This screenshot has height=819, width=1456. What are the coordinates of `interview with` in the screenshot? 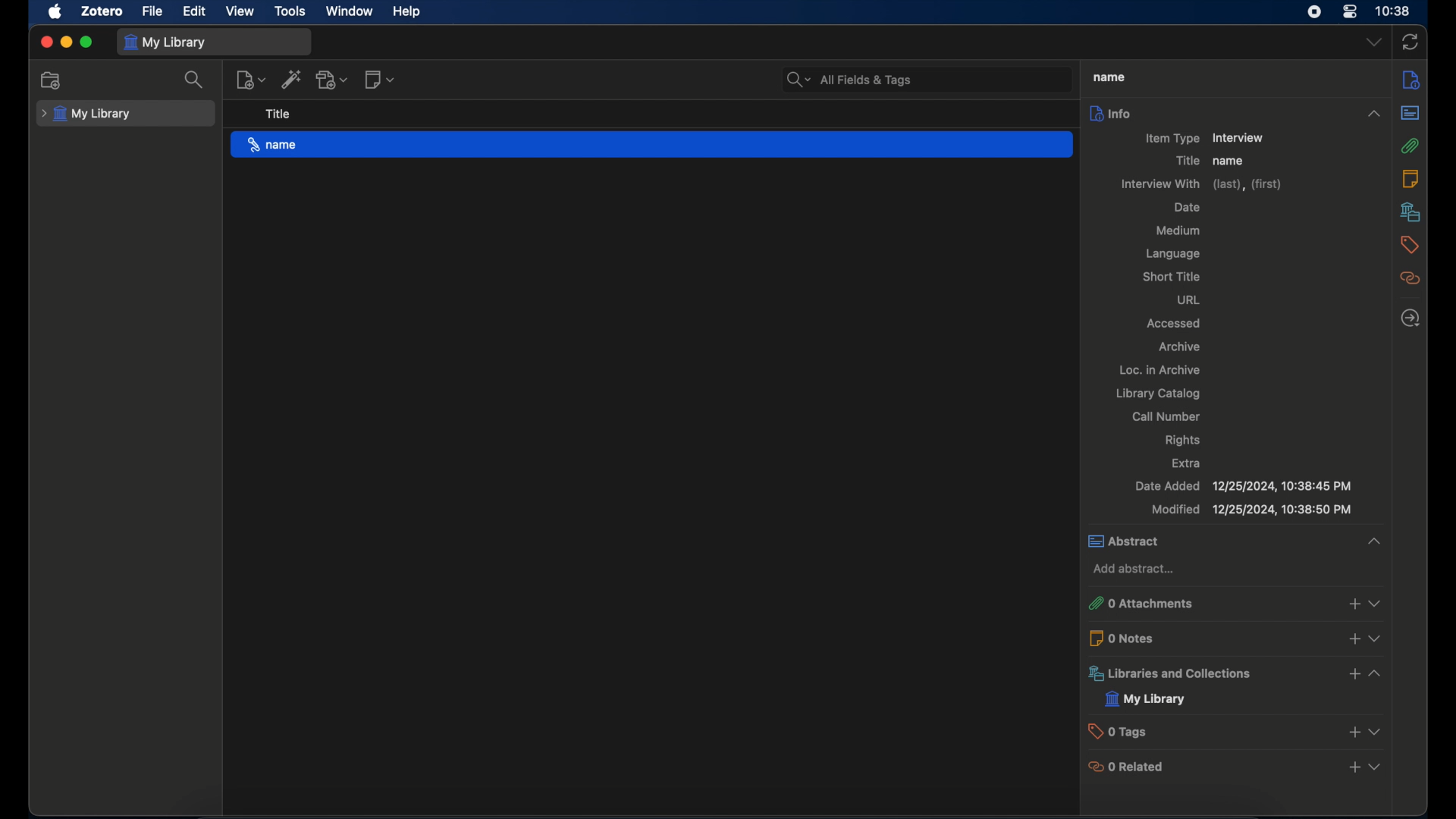 It's located at (1200, 184).